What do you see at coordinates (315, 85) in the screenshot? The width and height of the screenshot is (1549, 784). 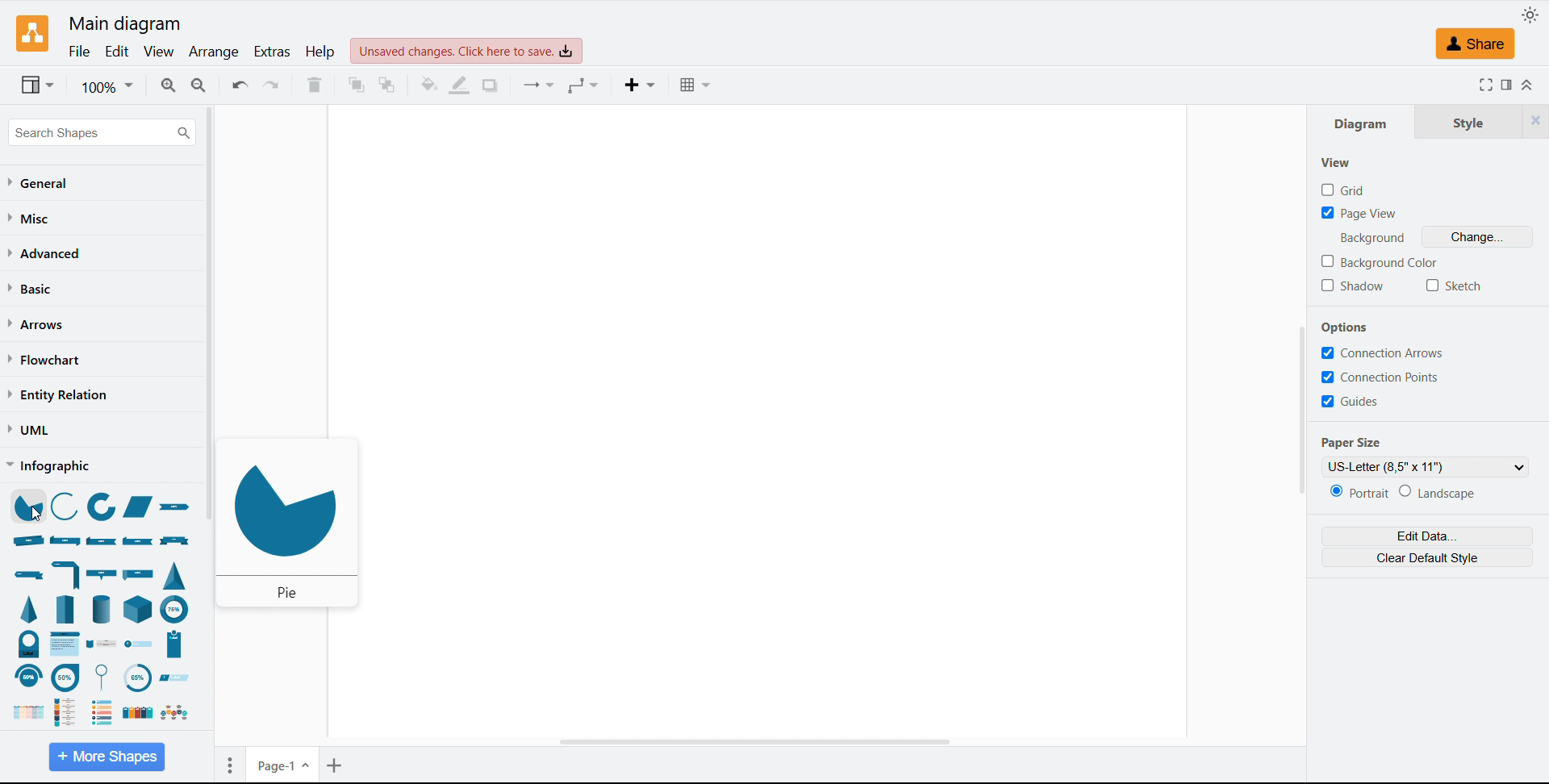 I see `Delete ` at bounding box center [315, 85].